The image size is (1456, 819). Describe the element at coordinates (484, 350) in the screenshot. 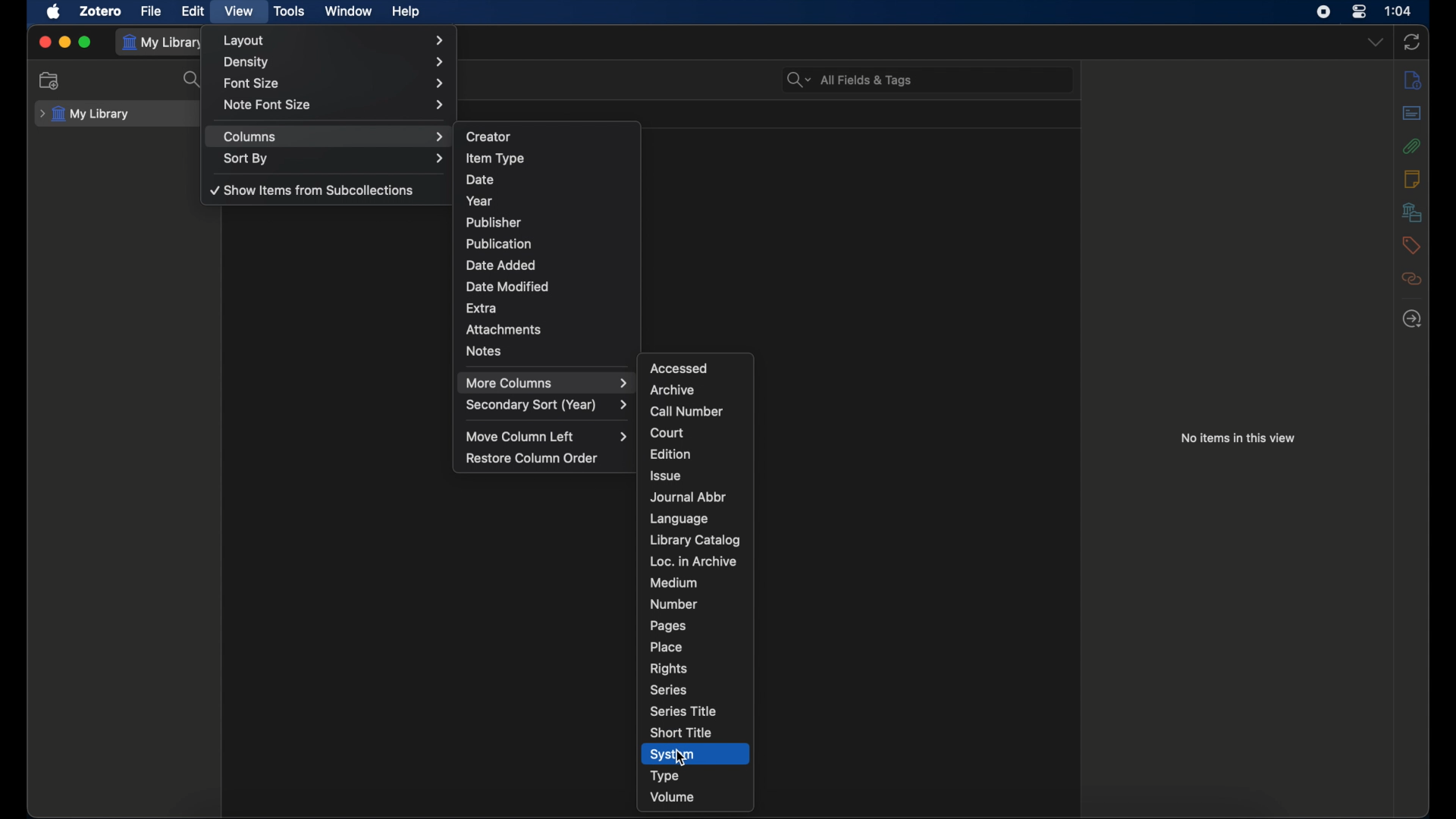

I see `notes` at that location.